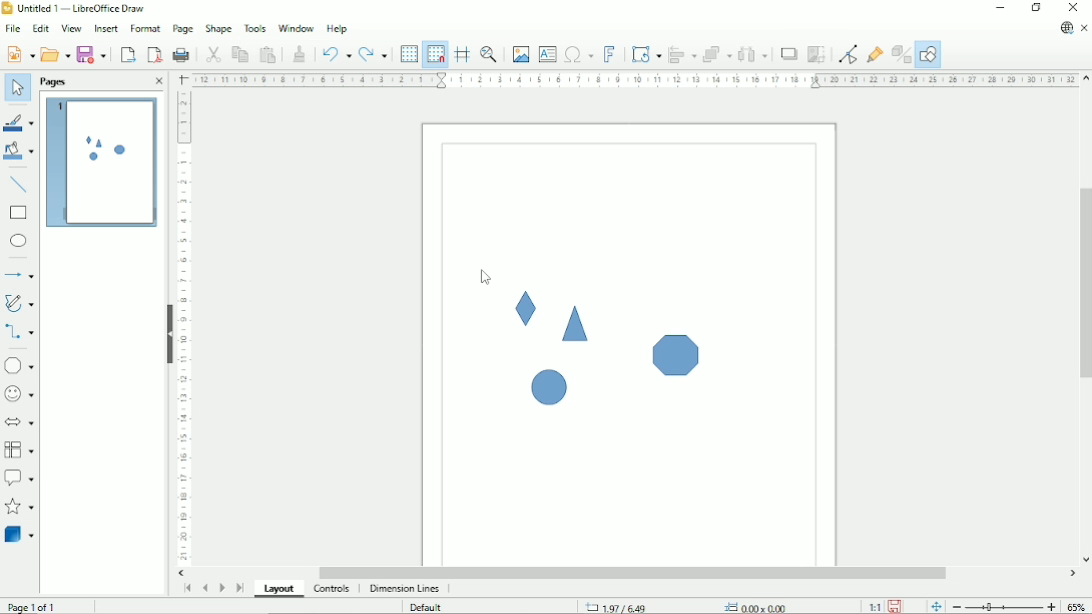 Image resolution: width=1092 pixels, height=614 pixels. Describe the element at coordinates (20, 153) in the screenshot. I see `Fill color` at that location.